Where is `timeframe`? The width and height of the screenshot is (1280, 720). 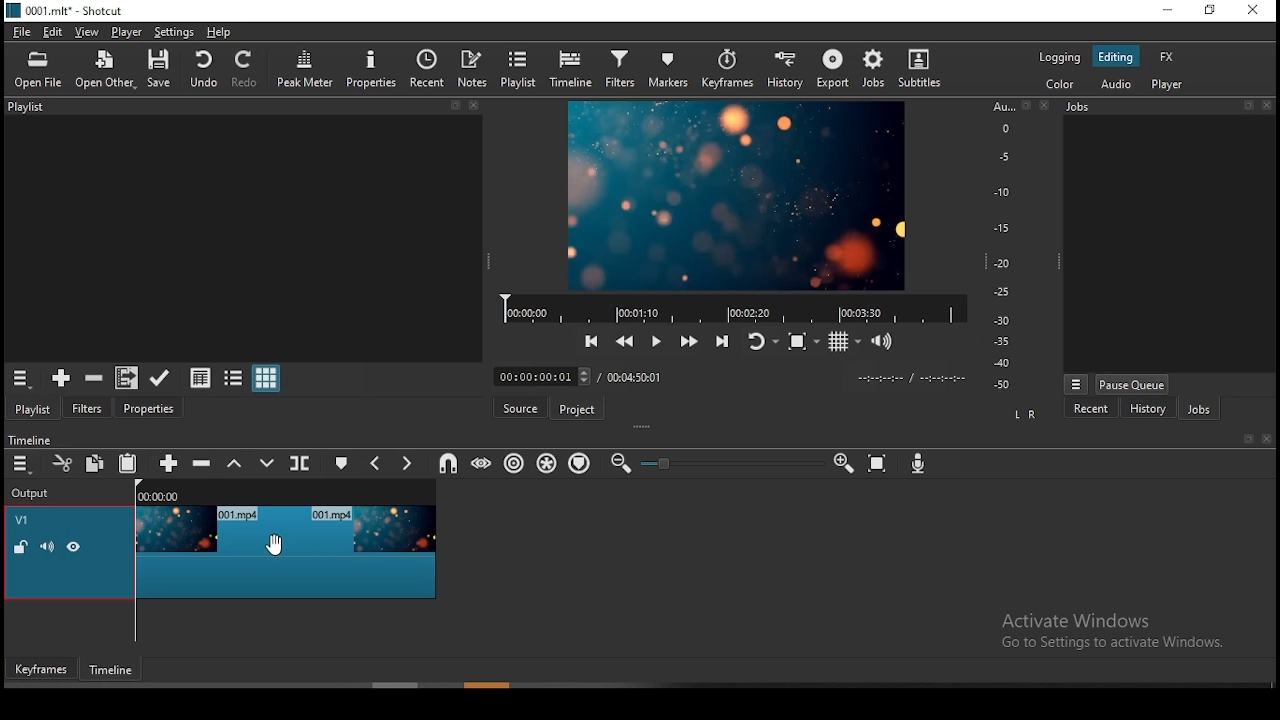 timeframe is located at coordinates (111, 670).